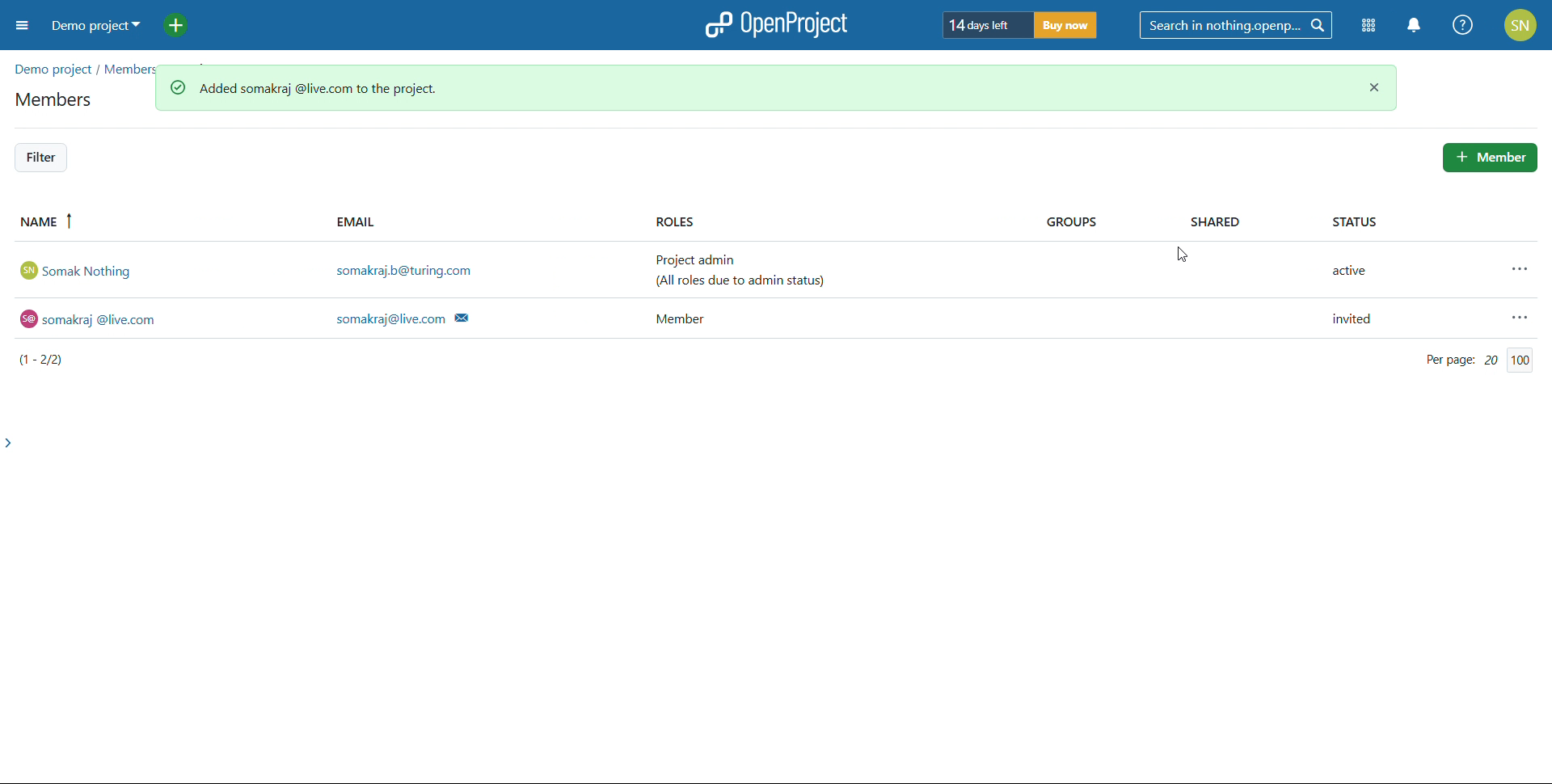 This screenshot has height=784, width=1552. I want to click on user added, so click(746, 94).